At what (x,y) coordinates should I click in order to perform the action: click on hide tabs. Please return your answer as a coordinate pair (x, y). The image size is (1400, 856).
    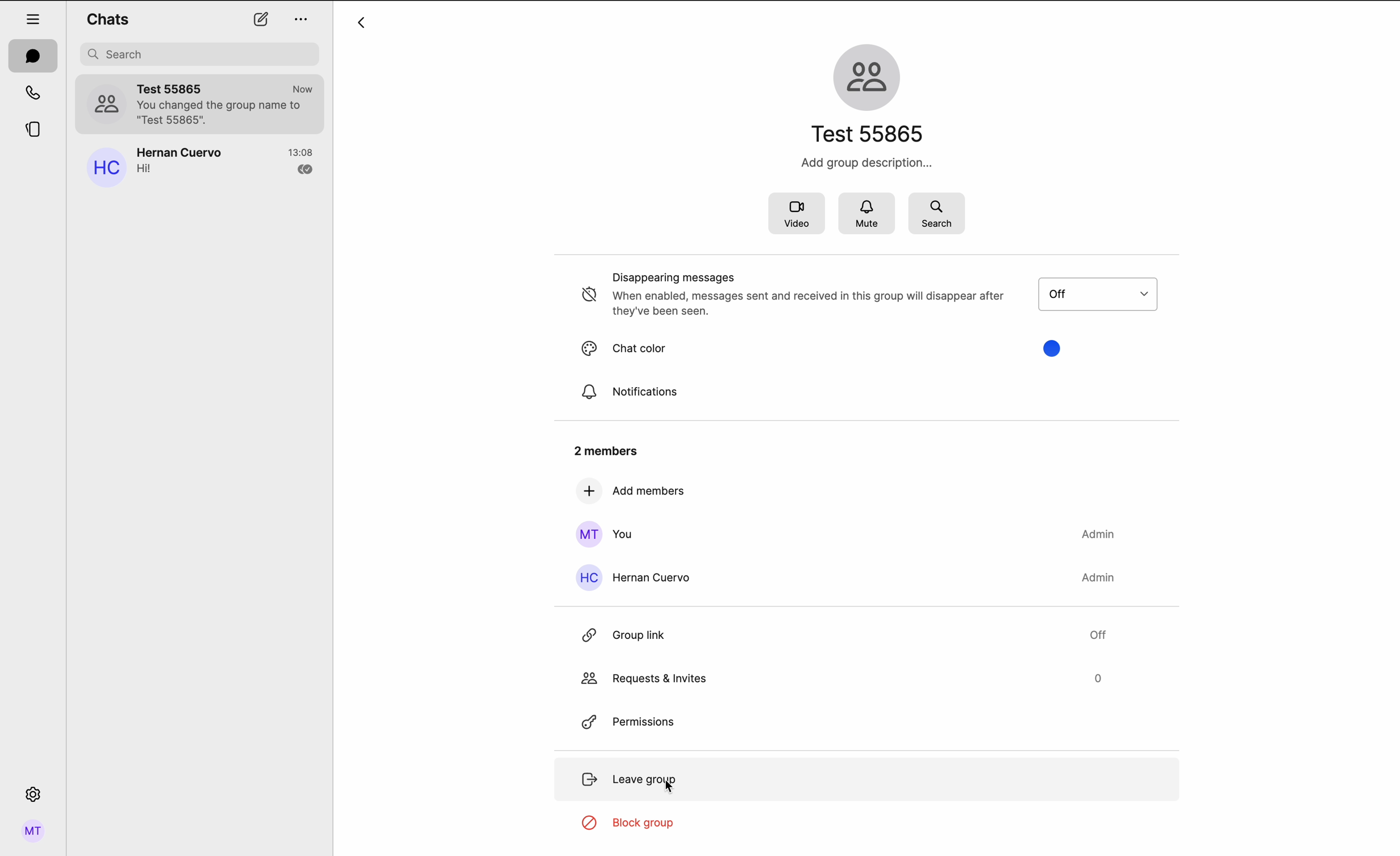
    Looking at the image, I should click on (33, 18).